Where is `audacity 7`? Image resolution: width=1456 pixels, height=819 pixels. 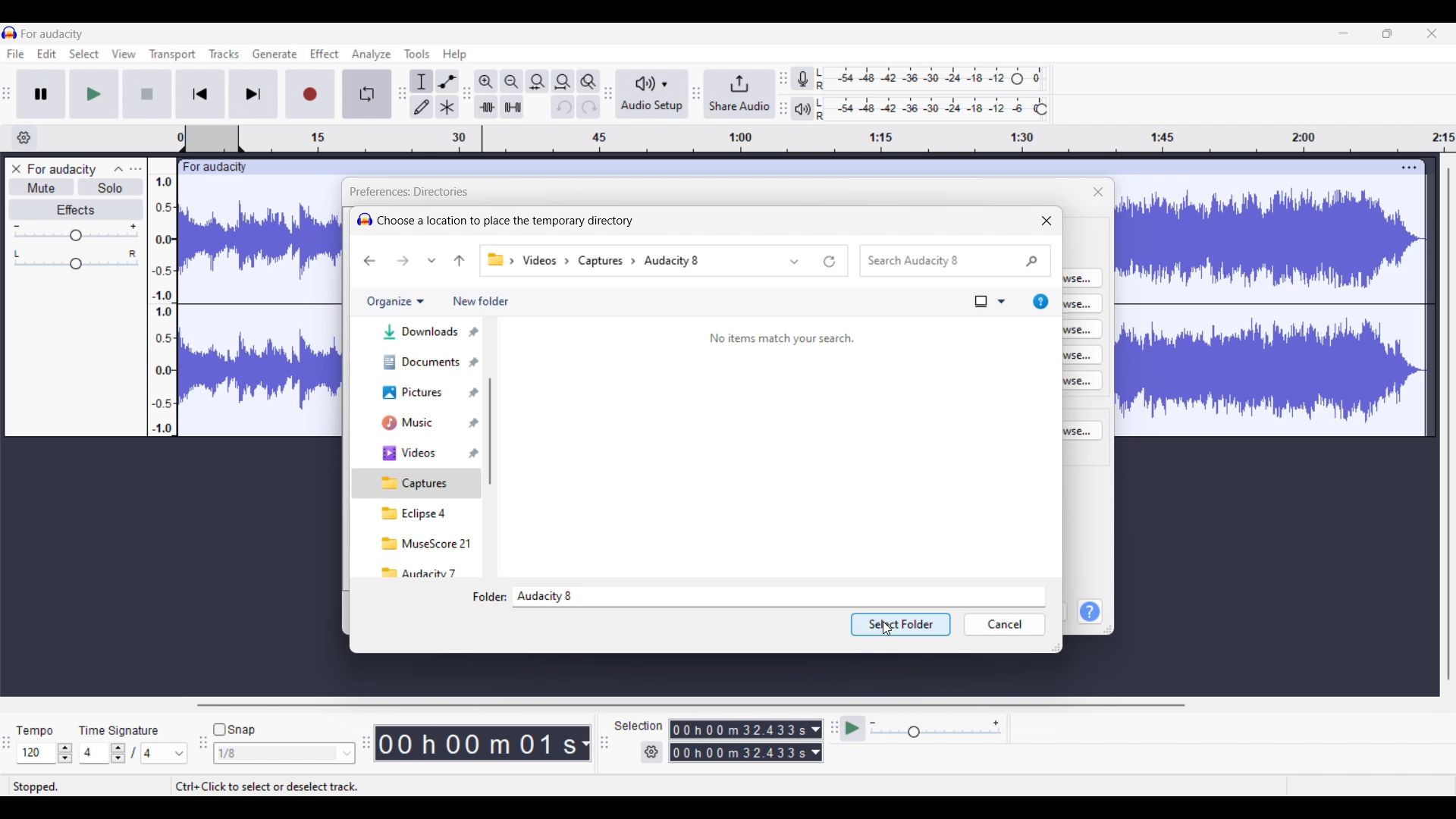
audacity 7 is located at coordinates (418, 571).